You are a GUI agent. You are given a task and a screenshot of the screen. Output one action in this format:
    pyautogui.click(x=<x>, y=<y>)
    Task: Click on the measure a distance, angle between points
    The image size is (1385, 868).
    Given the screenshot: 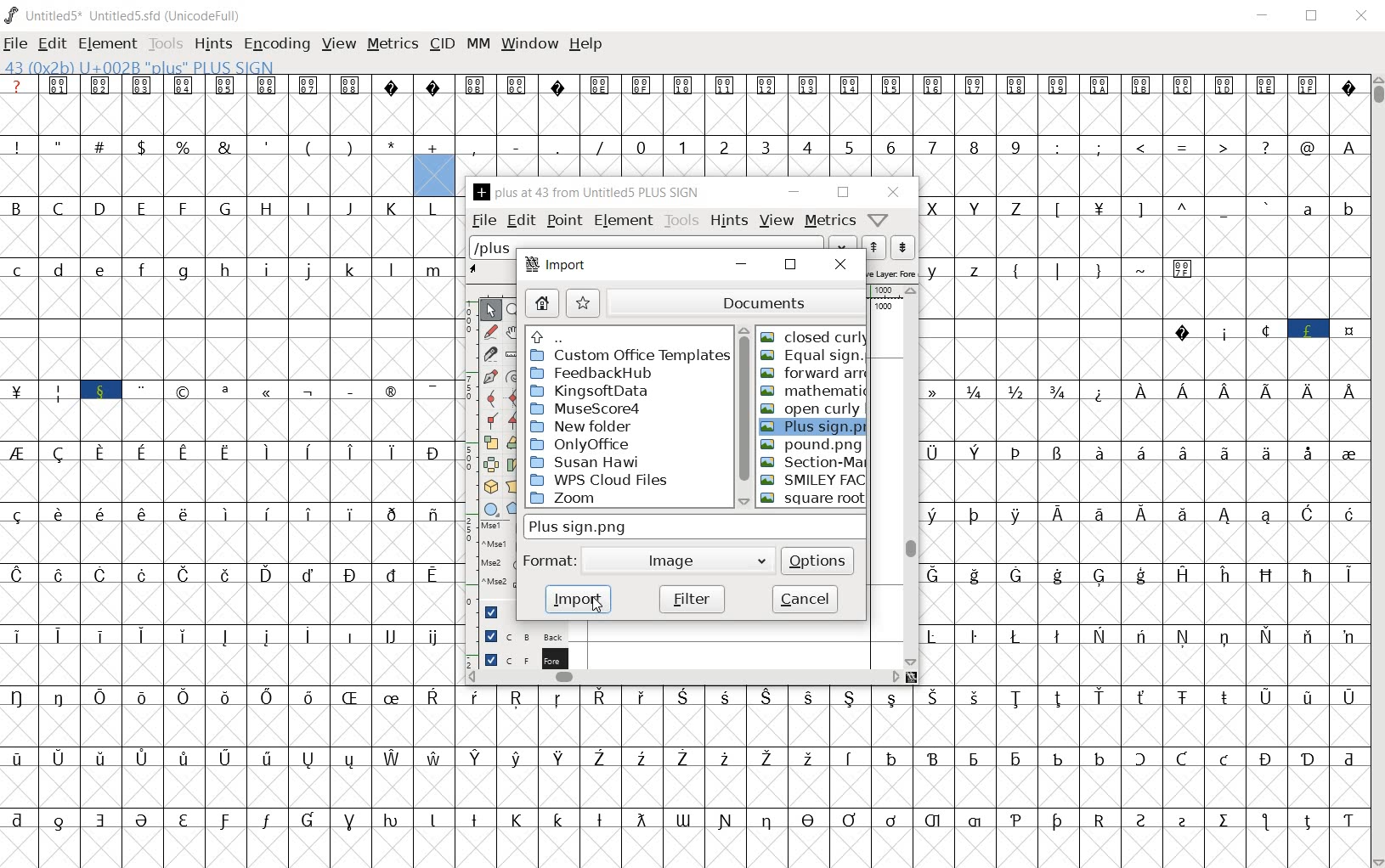 What is the action you would take?
    pyautogui.click(x=513, y=354)
    